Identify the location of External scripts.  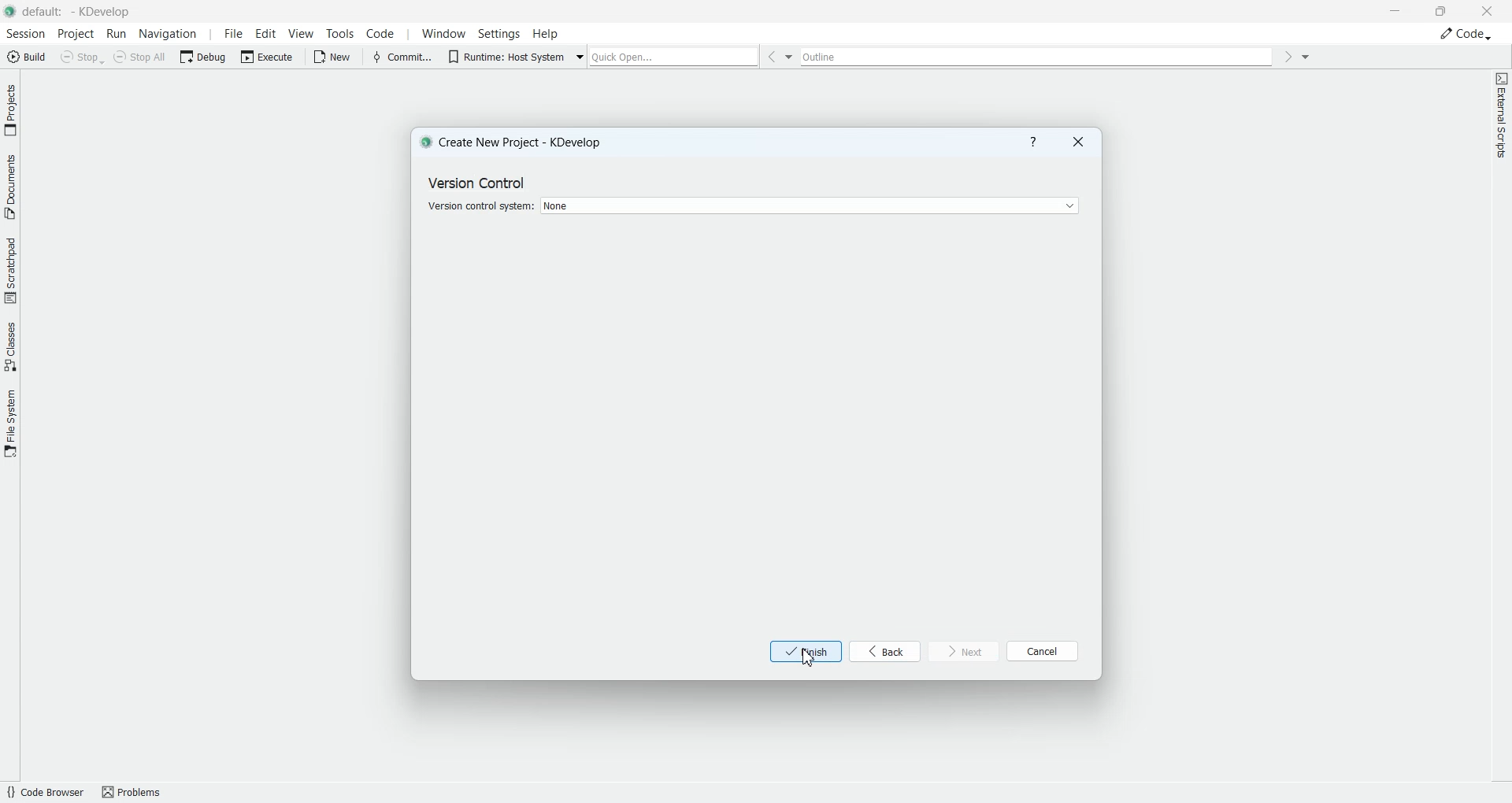
(1501, 120).